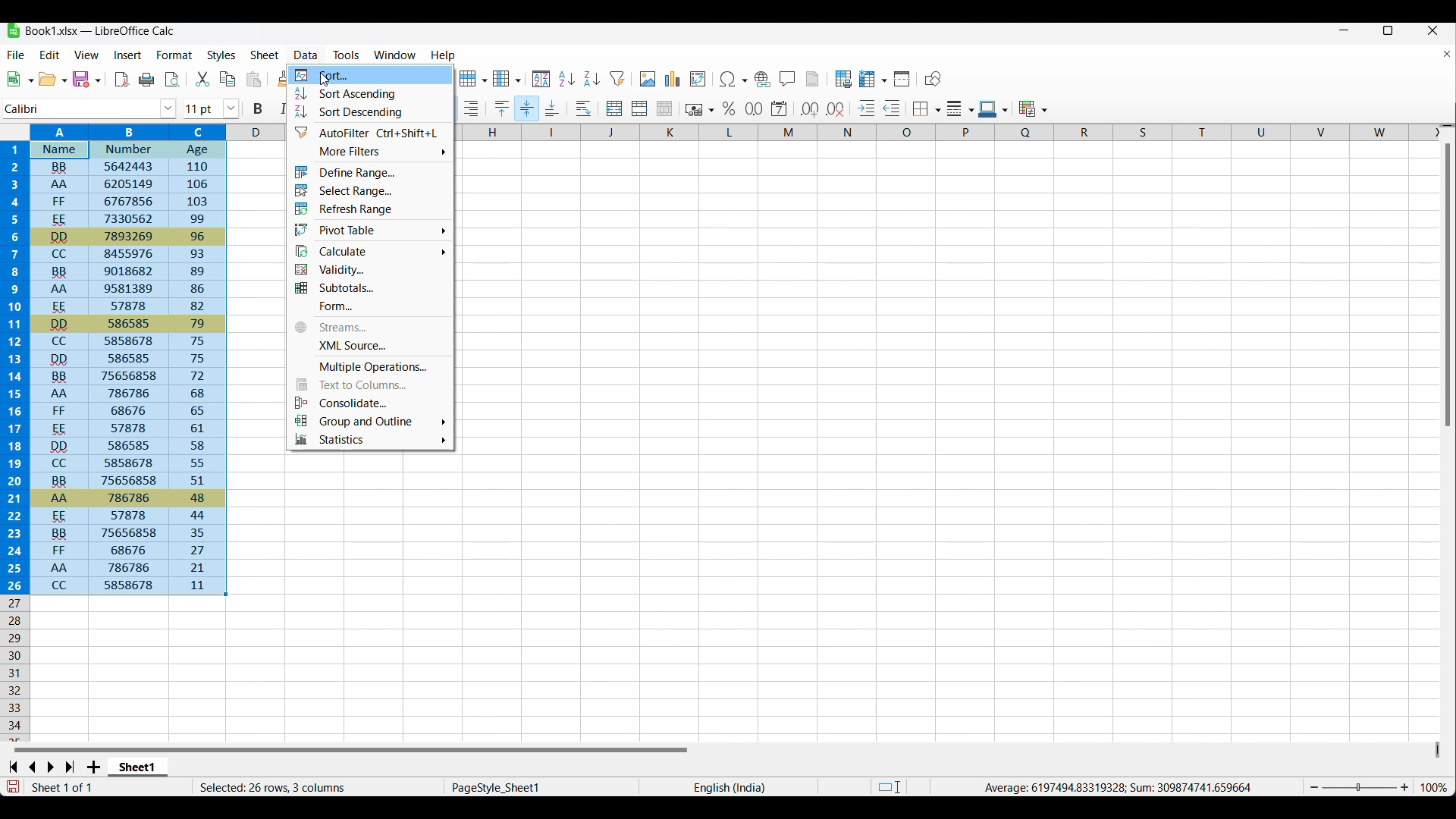  I want to click on Freeze rows and columns, so click(874, 79).